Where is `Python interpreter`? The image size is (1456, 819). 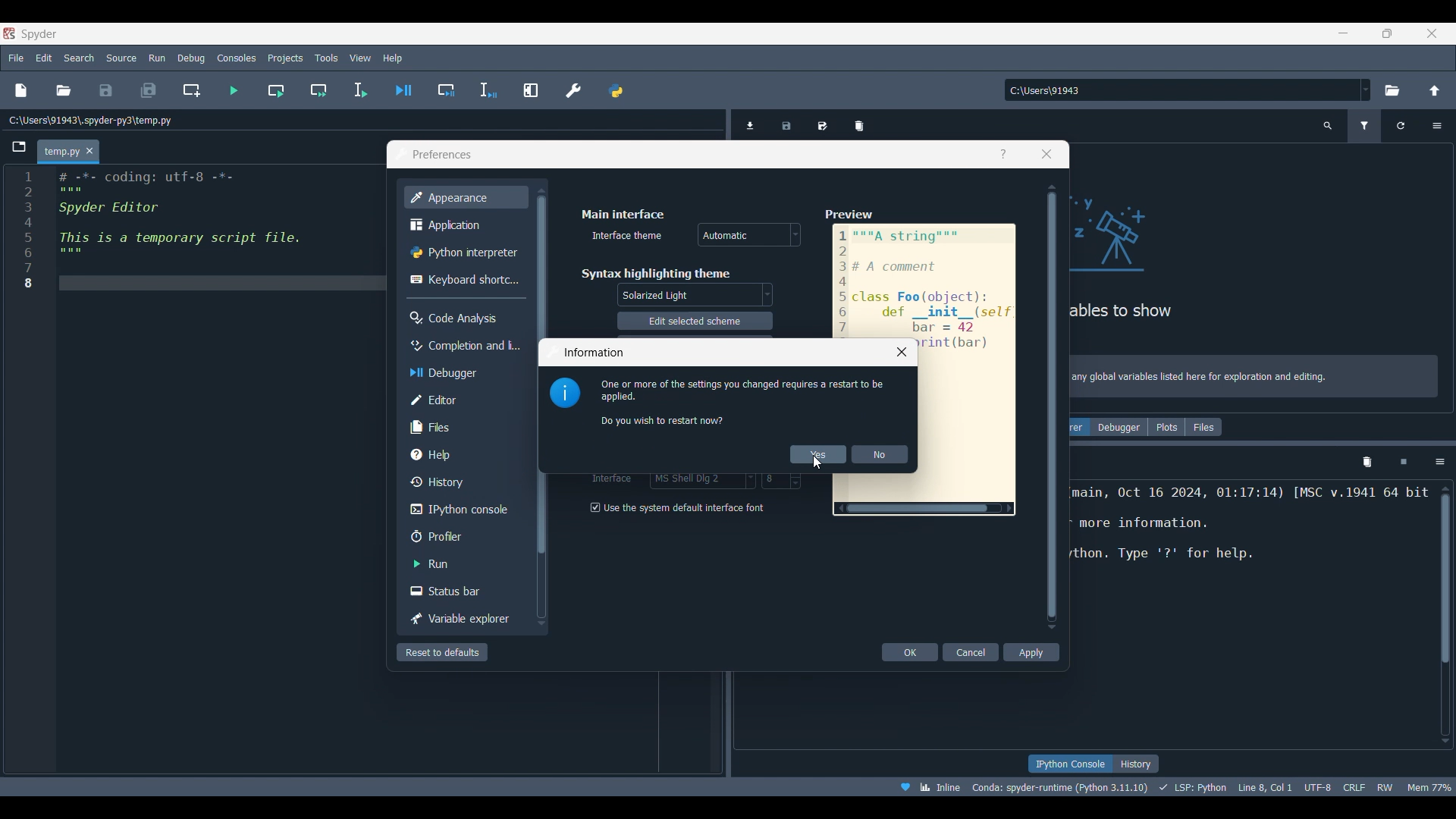
Python interpreter is located at coordinates (466, 252).